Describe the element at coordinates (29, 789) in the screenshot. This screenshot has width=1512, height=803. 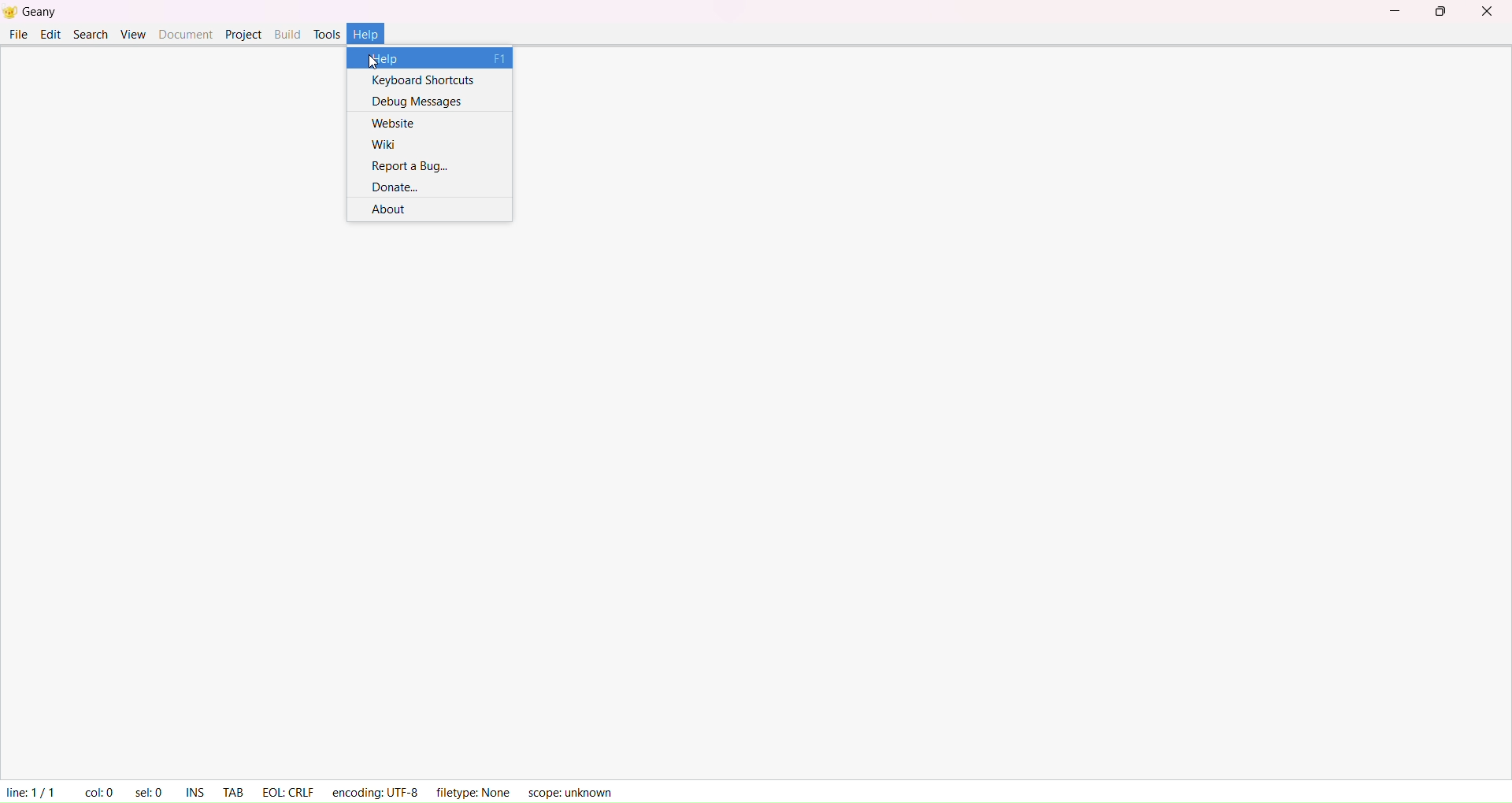
I see `line` at that location.